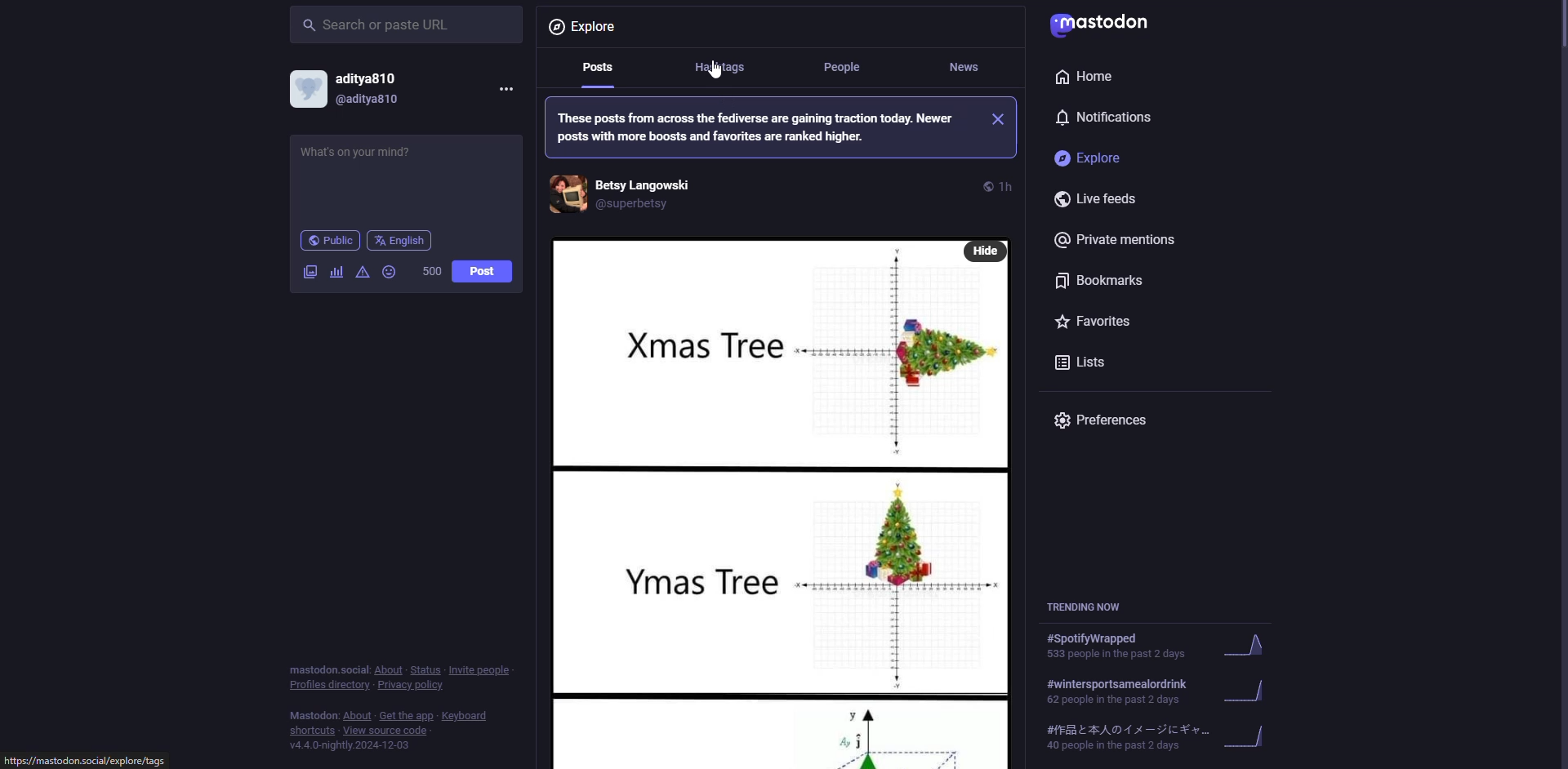 The width and height of the screenshot is (1568, 769). What do you see at coordinates (1086, 362) in the screenshot?
I see `lists` at bounding box center [1086, 362].